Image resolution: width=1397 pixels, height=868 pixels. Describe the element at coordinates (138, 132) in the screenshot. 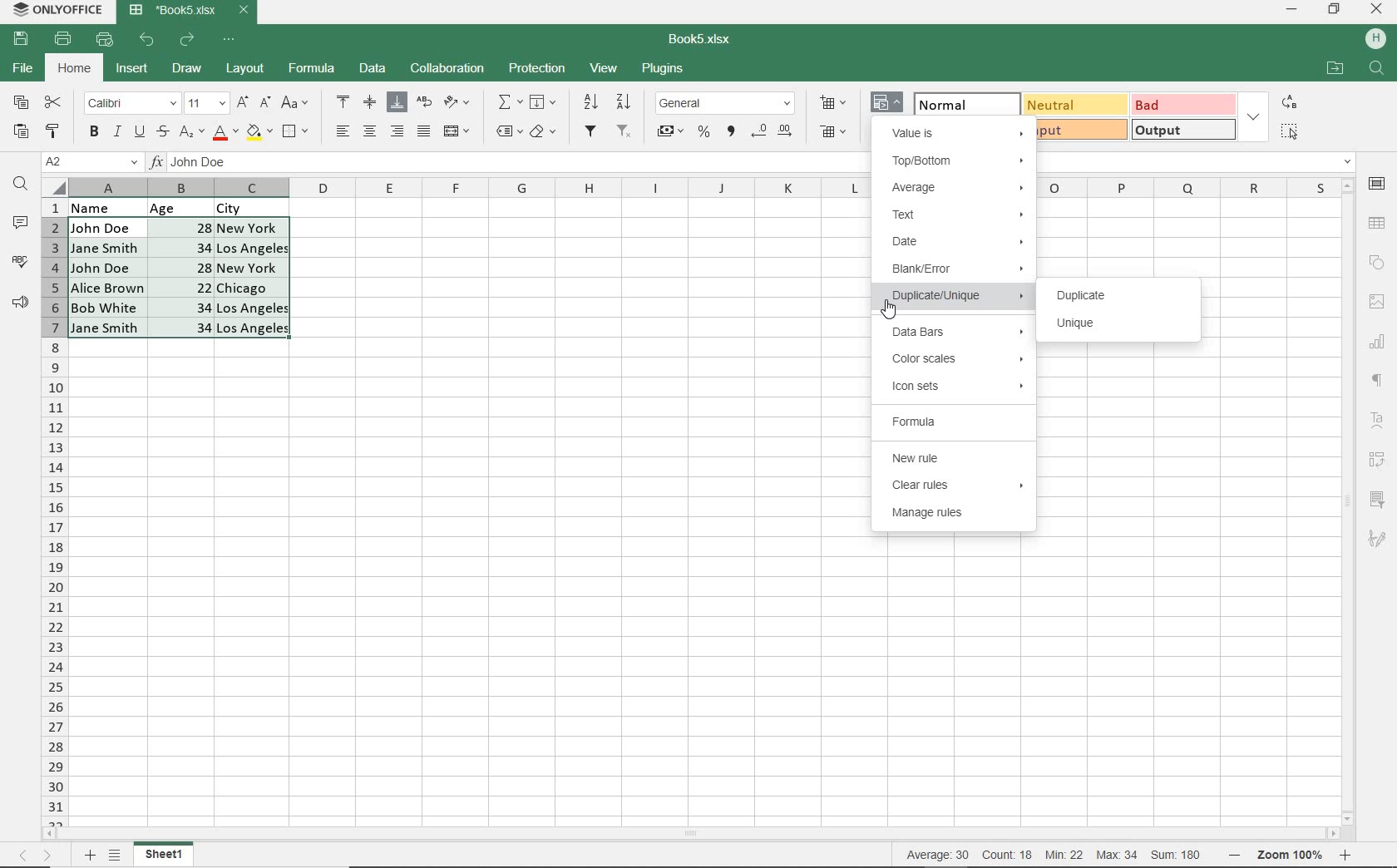

I see `UNDERLINE` at that location.